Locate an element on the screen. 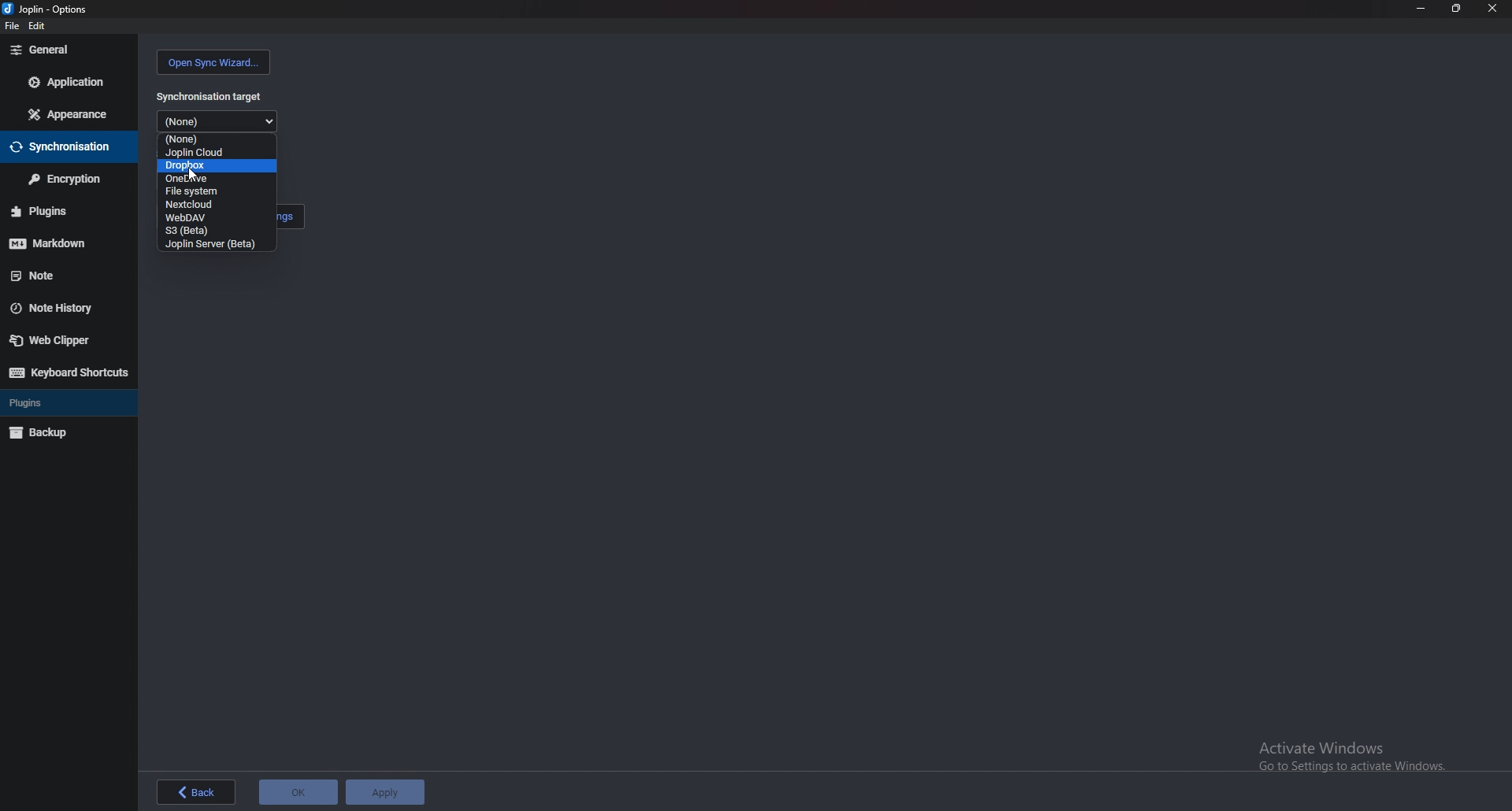 The width and height of the screenshot is (1512, 811). note history is located at coordinates (57, 309).